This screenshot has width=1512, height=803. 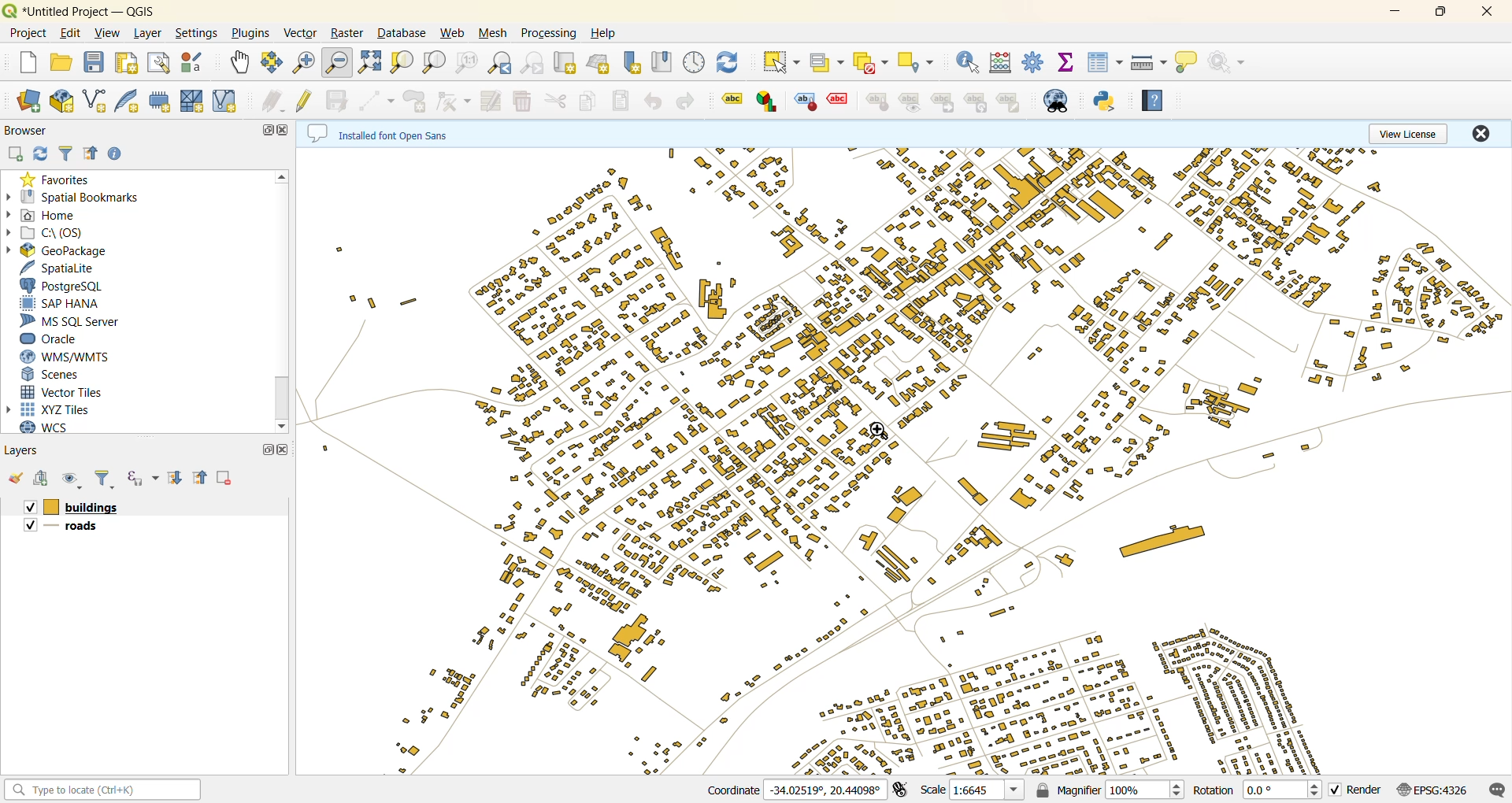 I want to click on metadata, so click(x=396, y=134).